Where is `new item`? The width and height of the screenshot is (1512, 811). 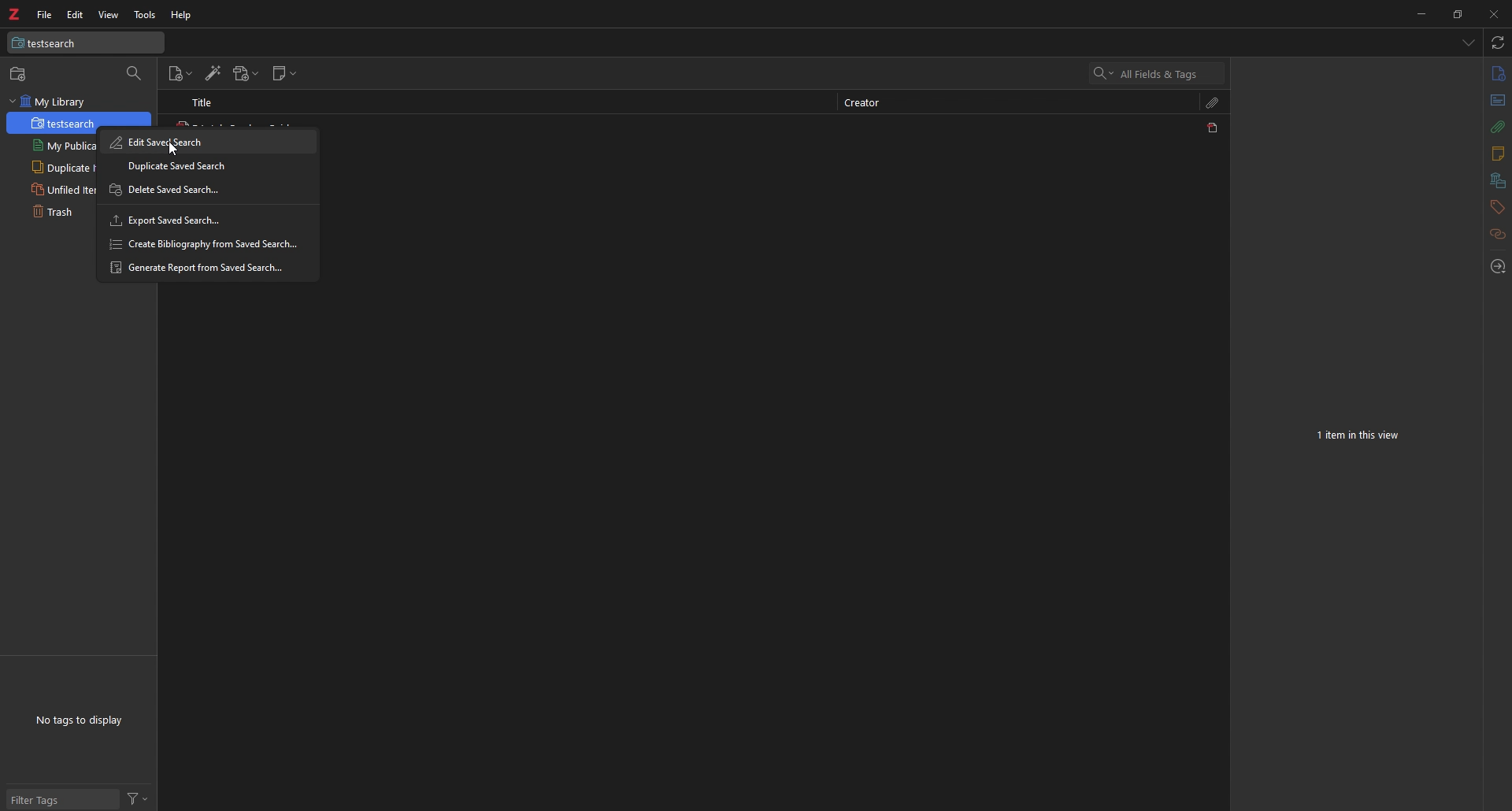 new item is located at coordinates (181, 74).